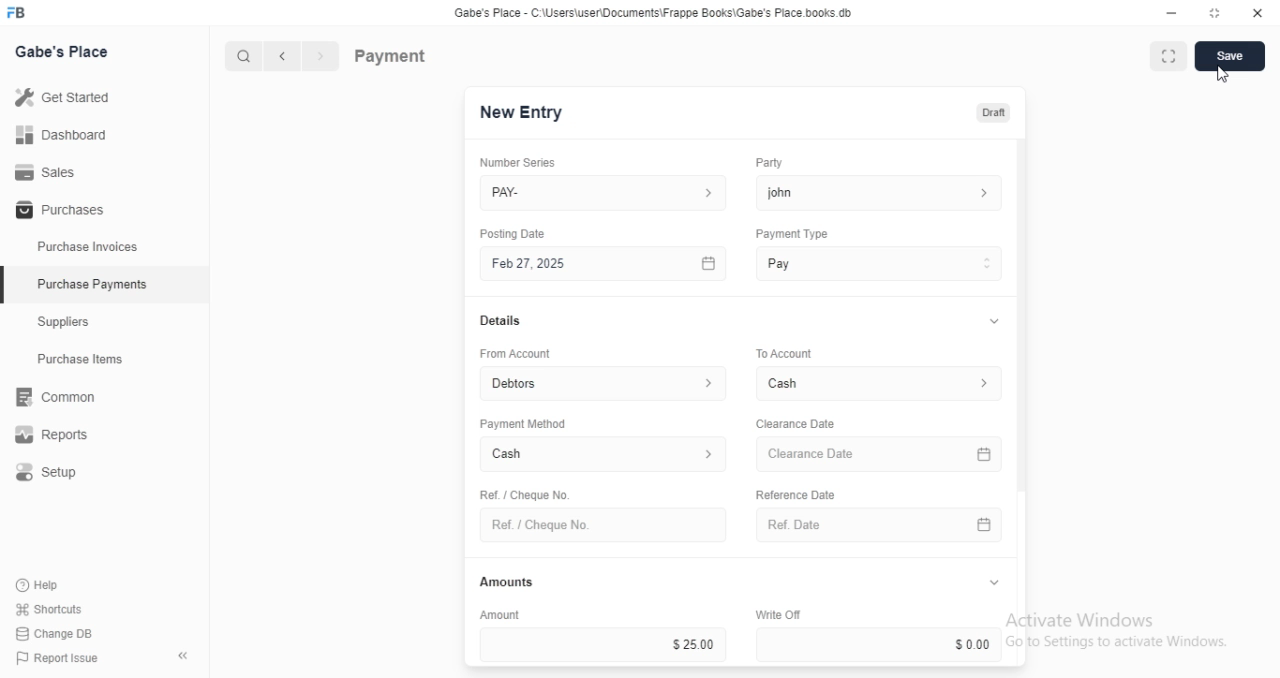 Image resolution: width=1280 pixels, height=678 pixels. Describe the element at coordinates (59, 435) in the screenshot. I see `Reports.` at that location.